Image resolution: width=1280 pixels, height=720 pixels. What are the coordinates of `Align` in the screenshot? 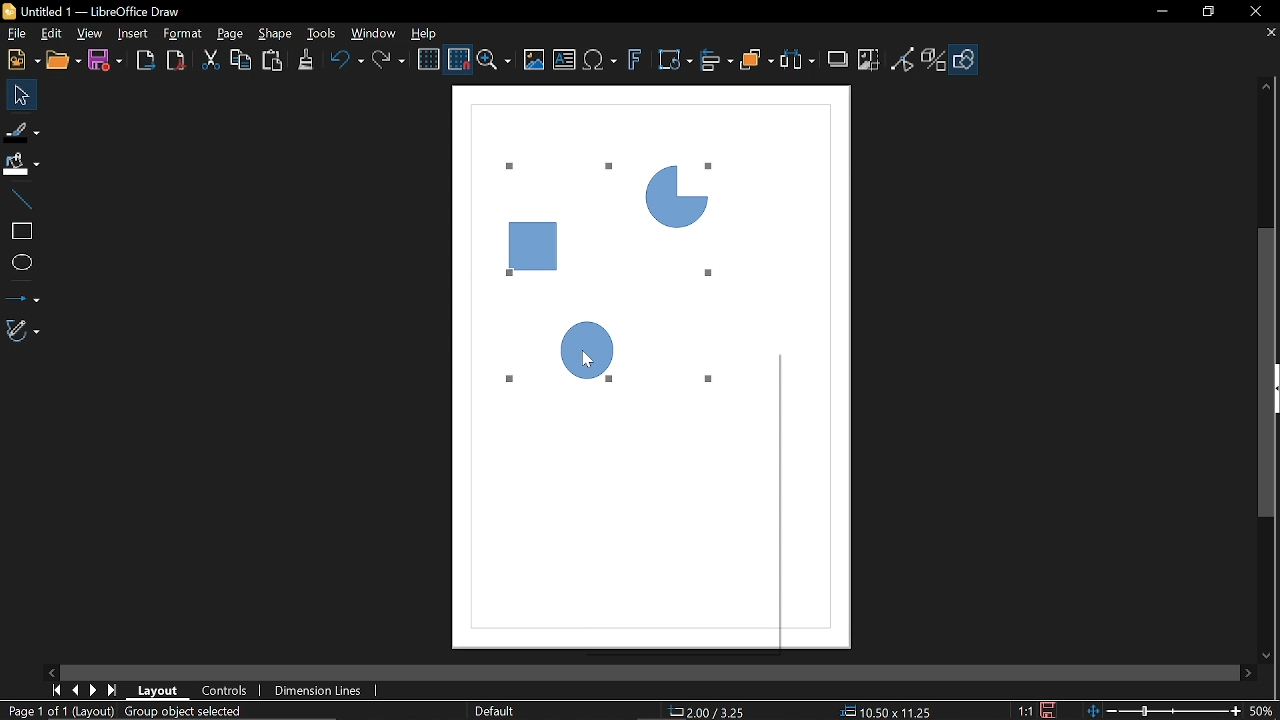 It's located at (716, 63).